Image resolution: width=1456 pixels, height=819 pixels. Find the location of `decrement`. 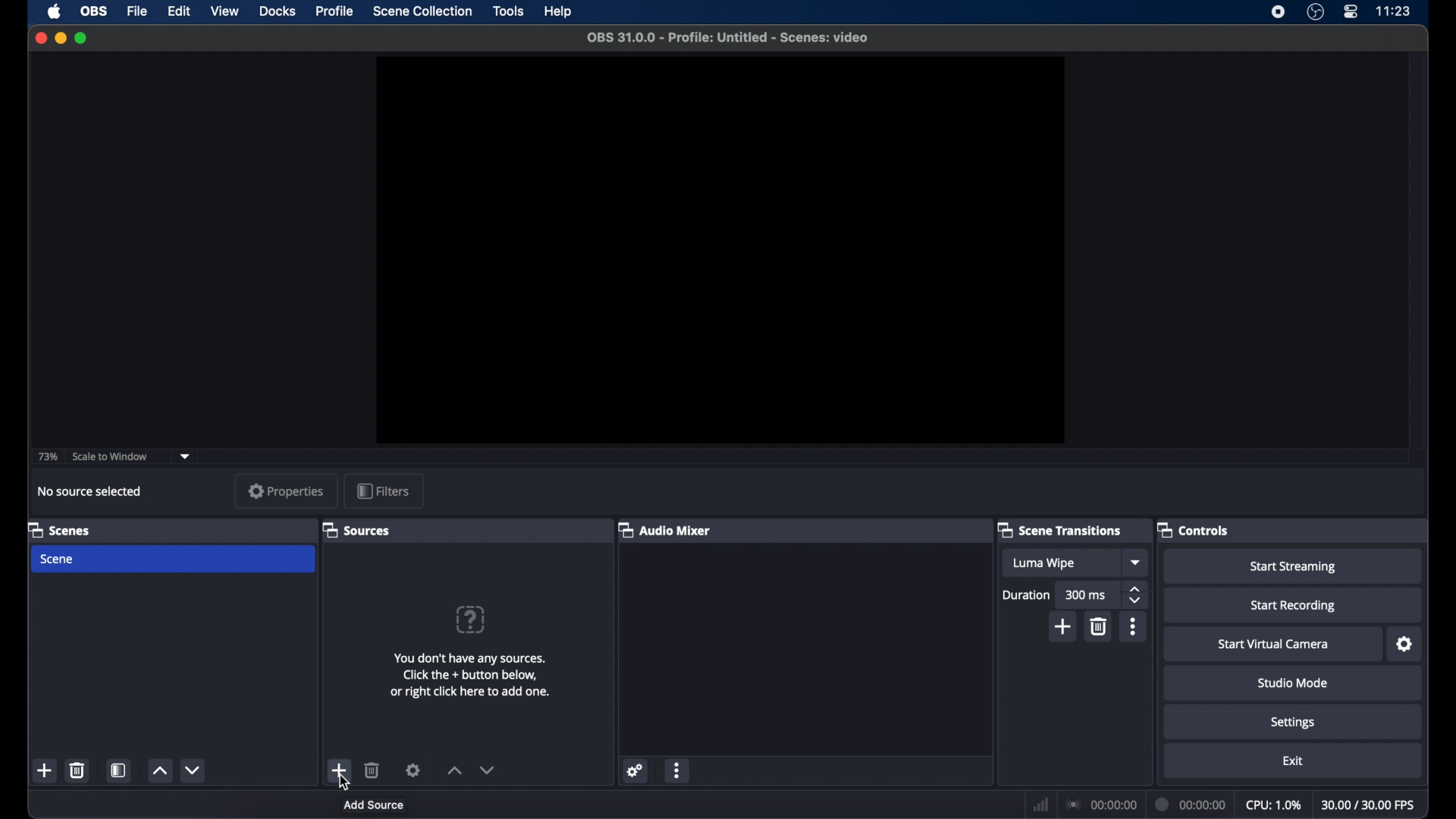

decrement is located at coordinates (193, 770).